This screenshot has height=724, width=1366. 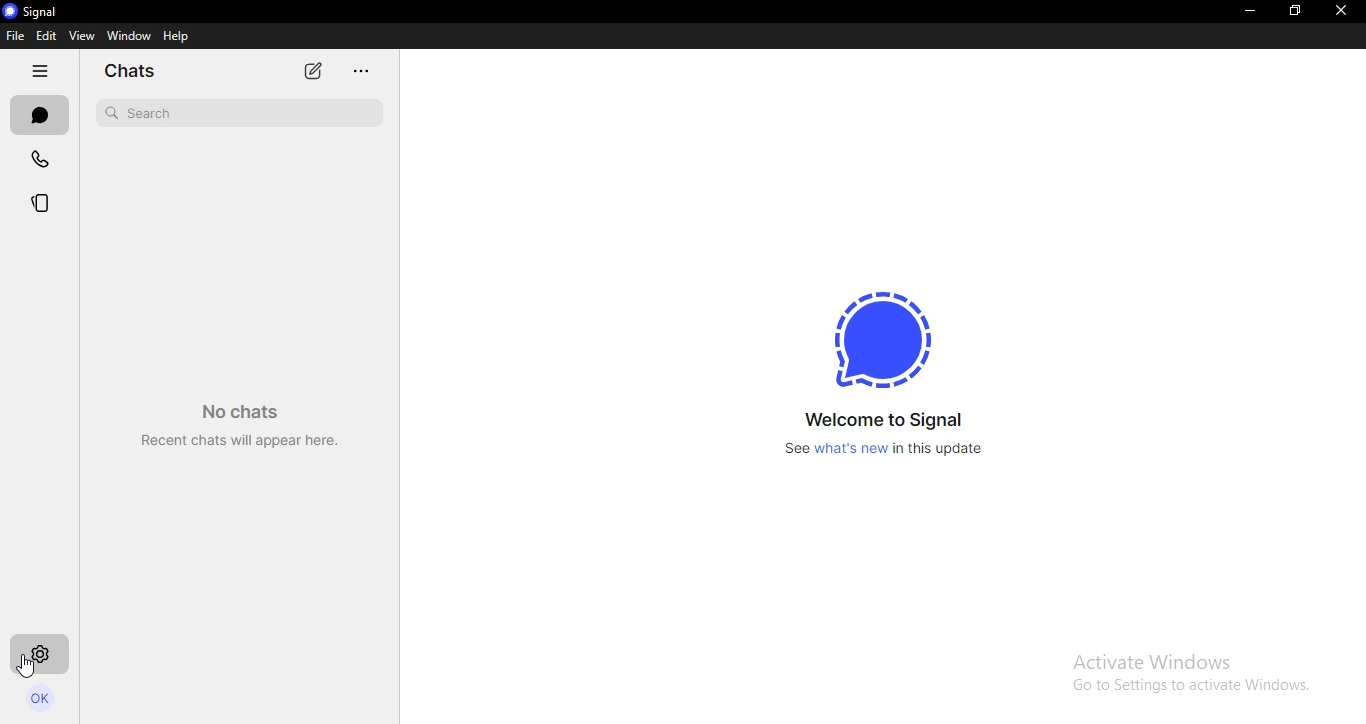 What do you see at coordinates (16, 37) in the screenshot?
I see `file` at bounding box center [16, 37].